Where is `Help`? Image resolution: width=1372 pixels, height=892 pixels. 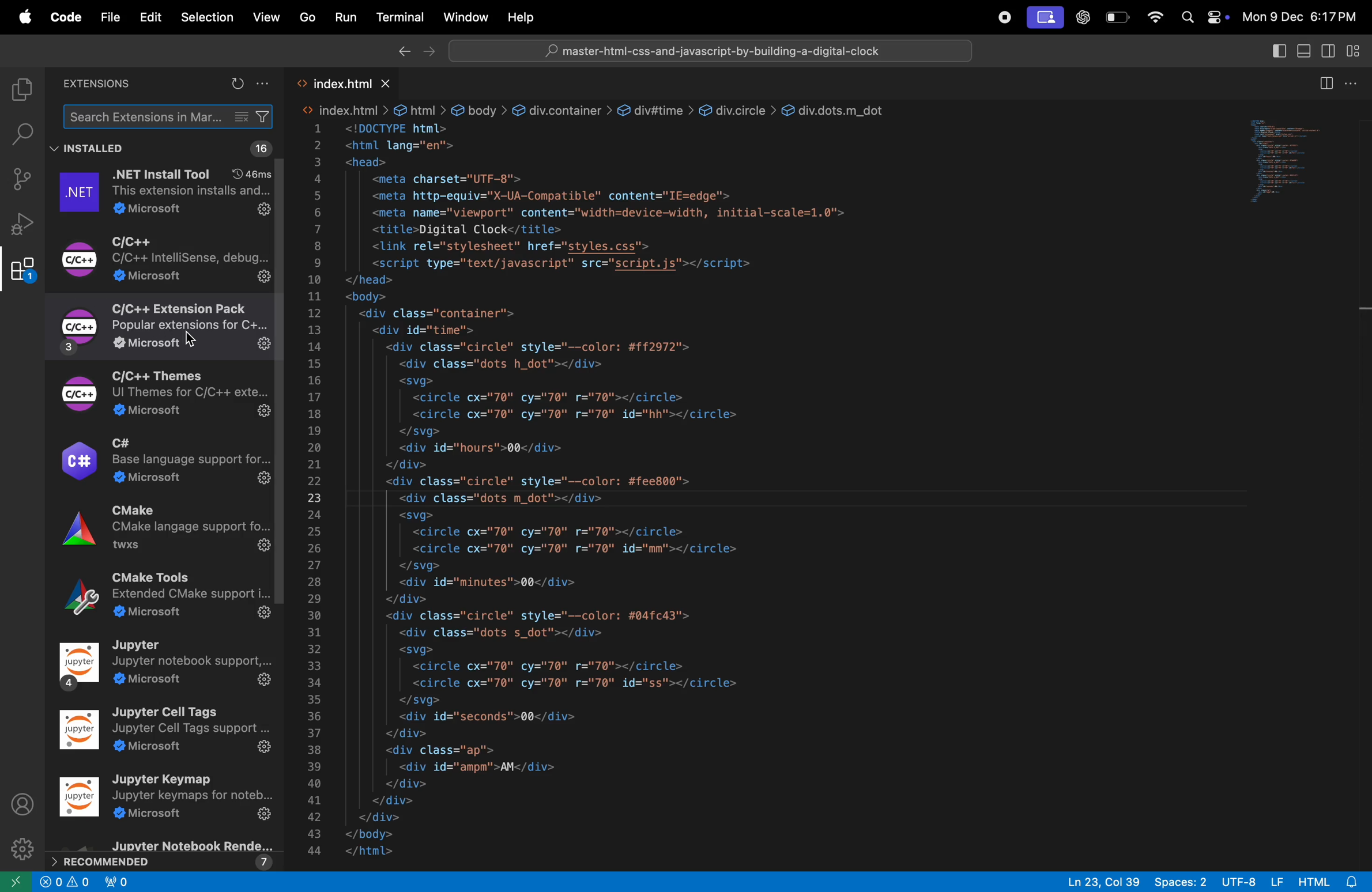 Help is located at coordinates (519, 16).